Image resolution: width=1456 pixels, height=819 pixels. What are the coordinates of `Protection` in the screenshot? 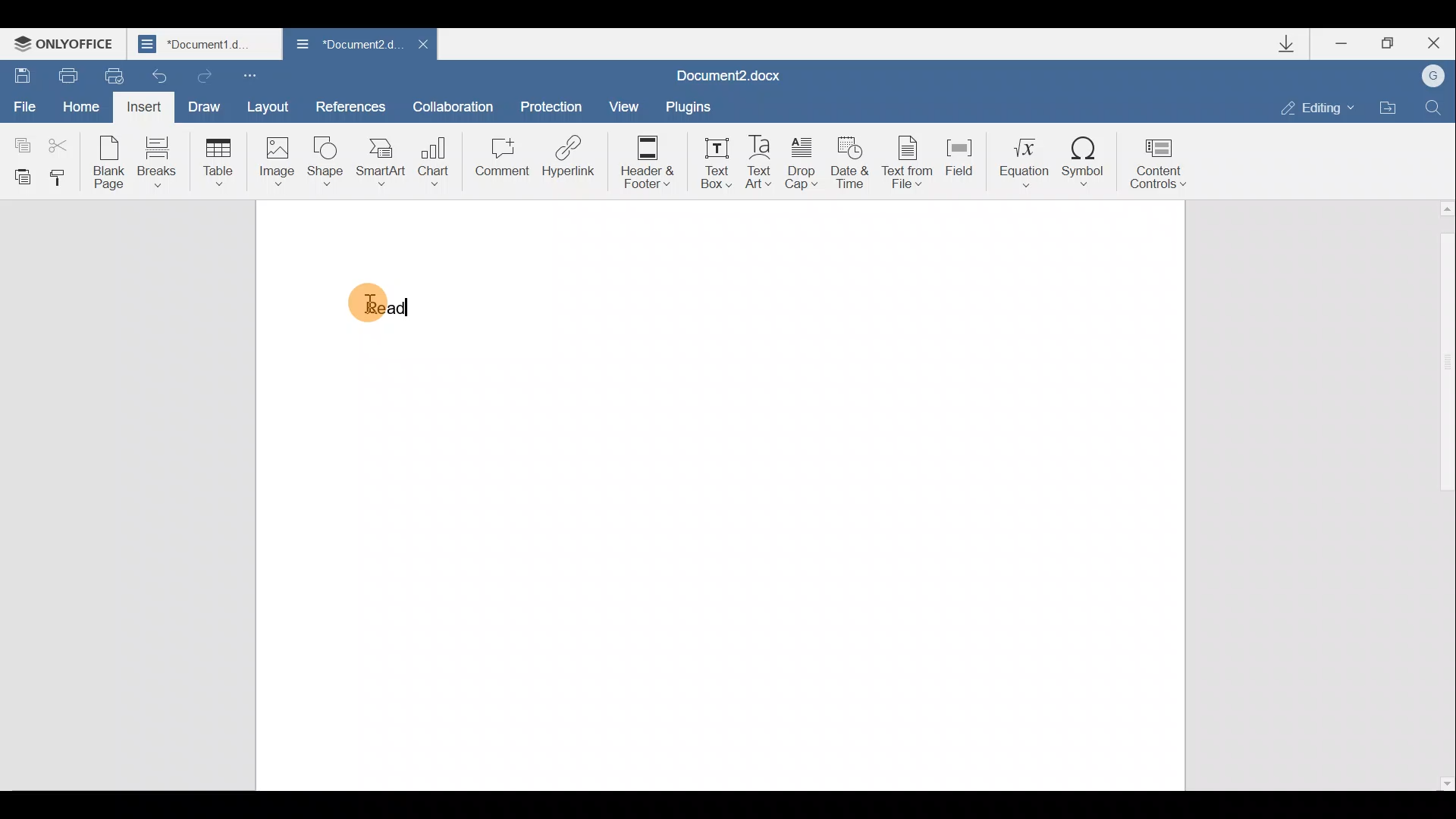 It's located at (554, 101).